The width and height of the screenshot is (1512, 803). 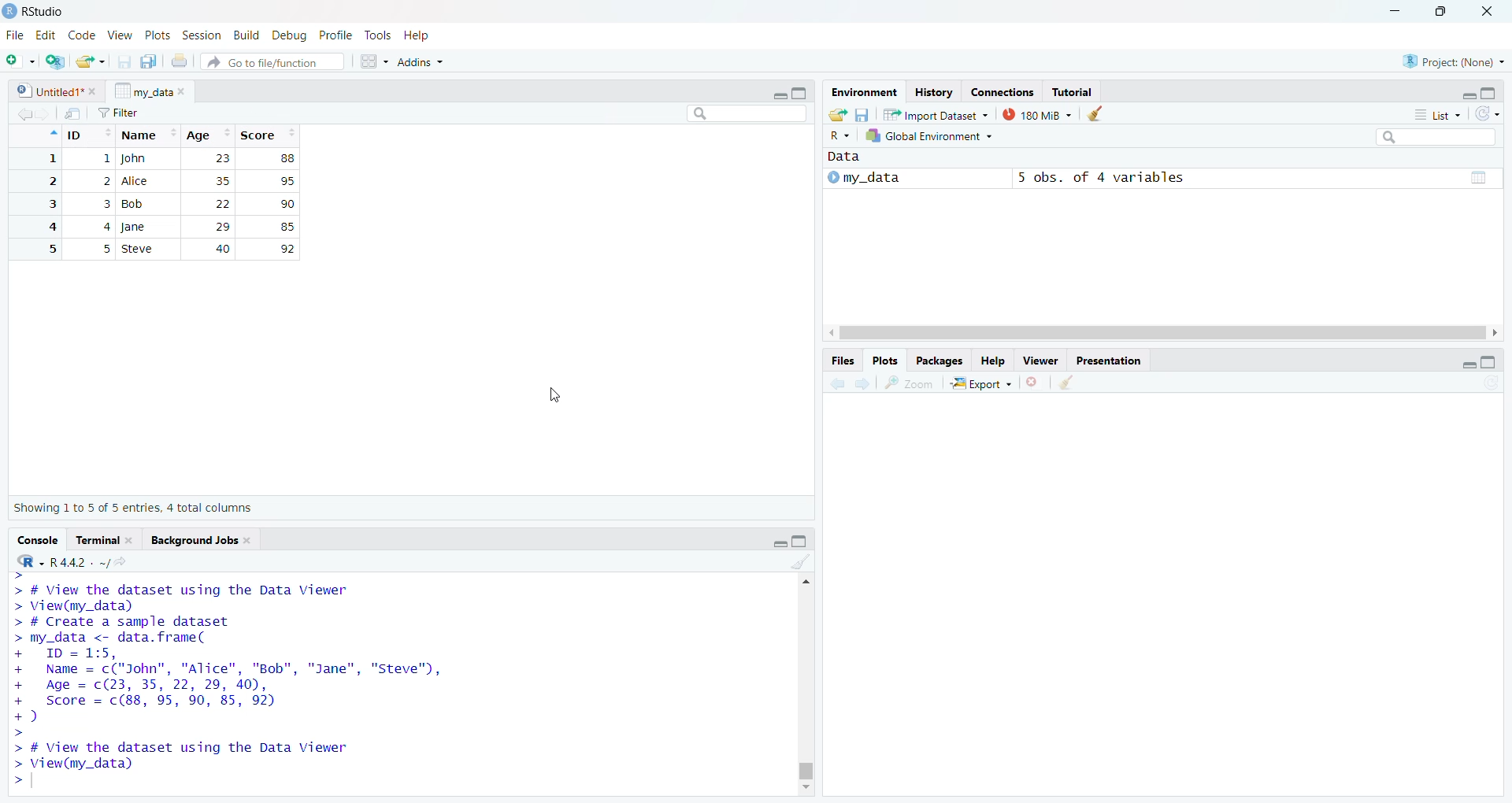 I want to click on Scroll bar, so click(x=1165, y=333).